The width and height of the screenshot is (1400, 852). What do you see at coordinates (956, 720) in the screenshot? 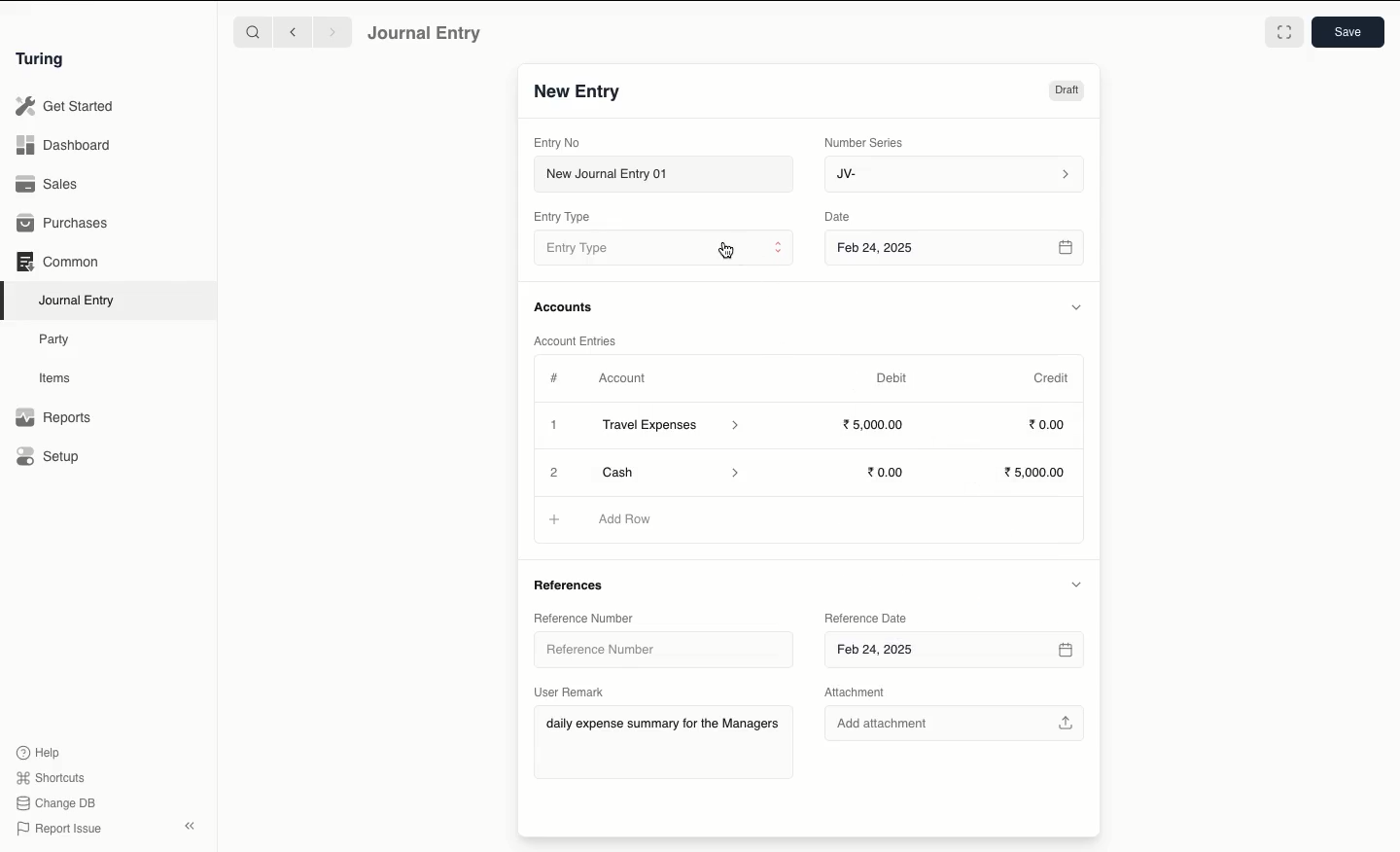
I see `Add attachment` at bounding box center [956, 720].